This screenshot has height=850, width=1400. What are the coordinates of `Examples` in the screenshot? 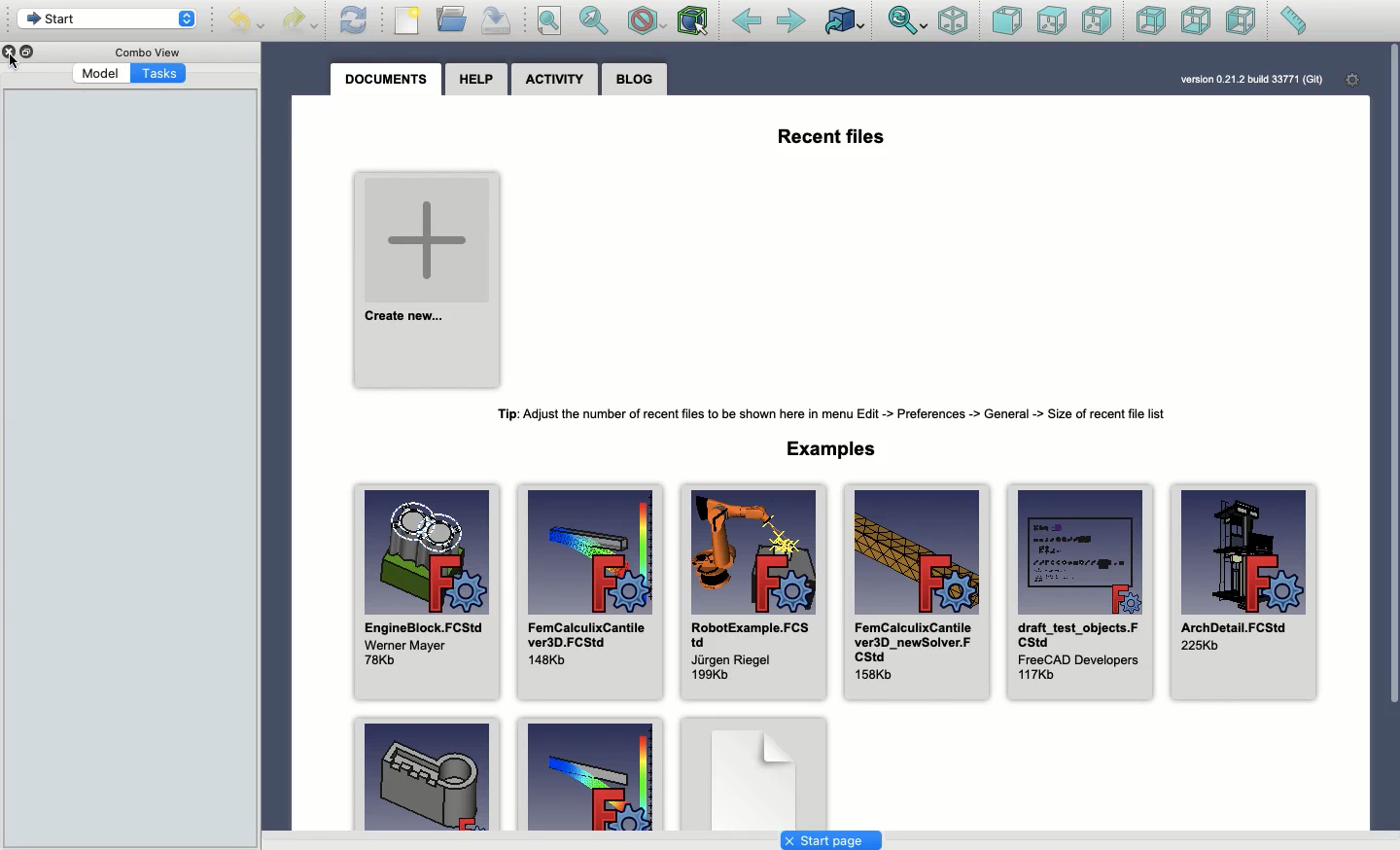 It's located at (829, 449).